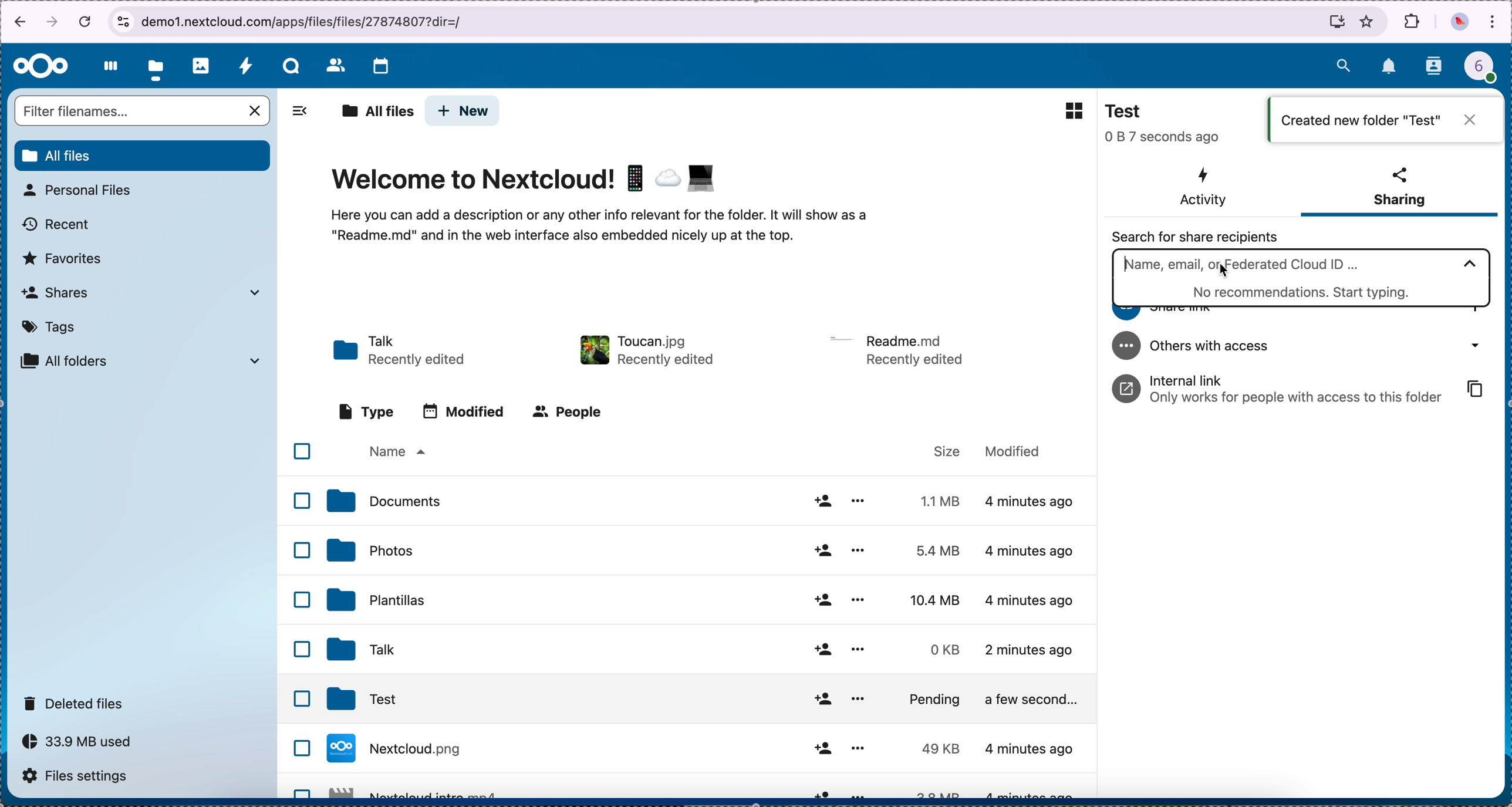 Image resolution: width=1512 pixels, height=807 pixels. Describe the element at coordinates (1180, 315) in the screenshot. I see `share link` at that location.